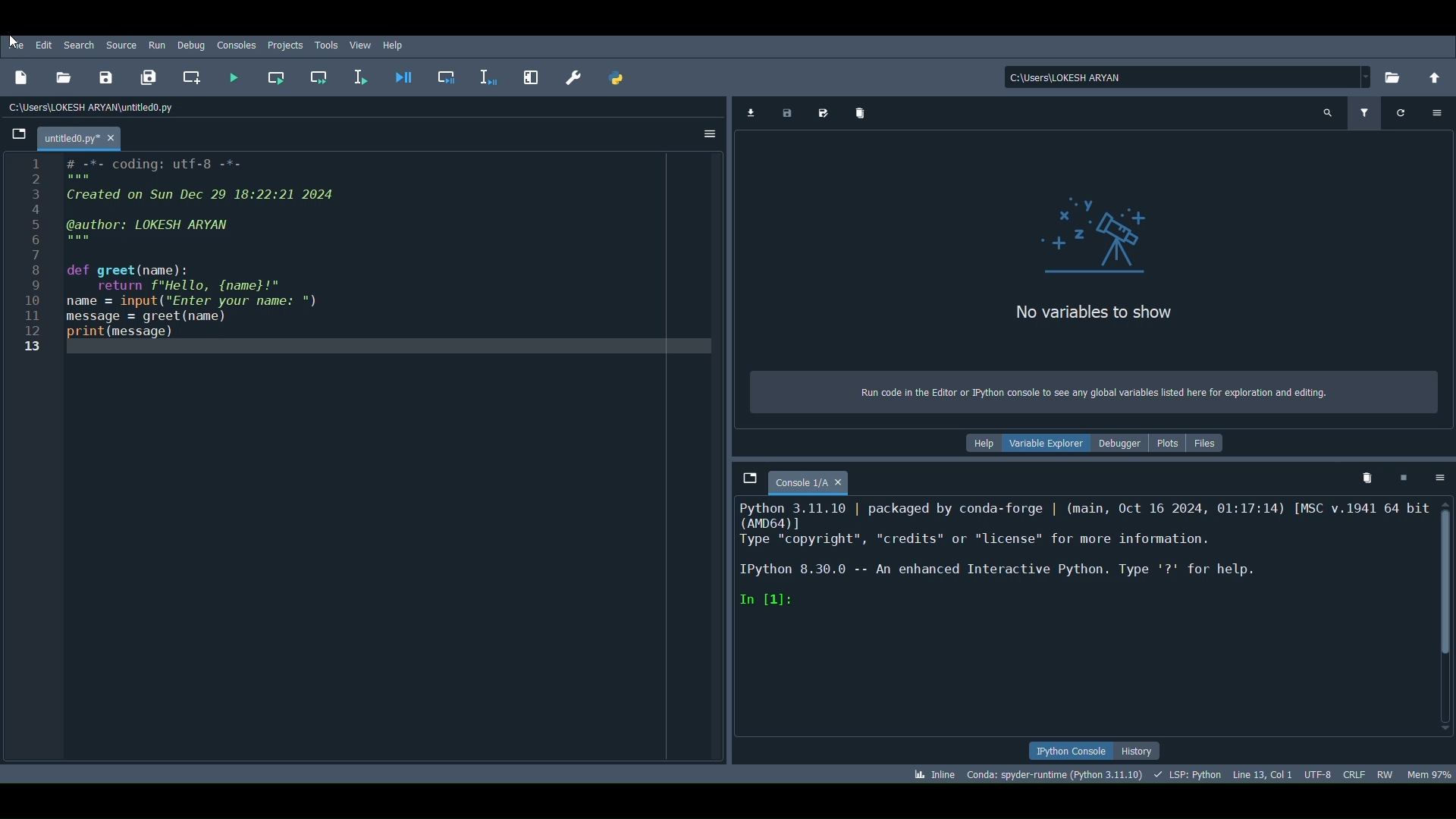  What do you see at coordinates (64, 76) in the screenshot?
I see `Open file (Ctrl + O)` at bounding box center [64, 76].